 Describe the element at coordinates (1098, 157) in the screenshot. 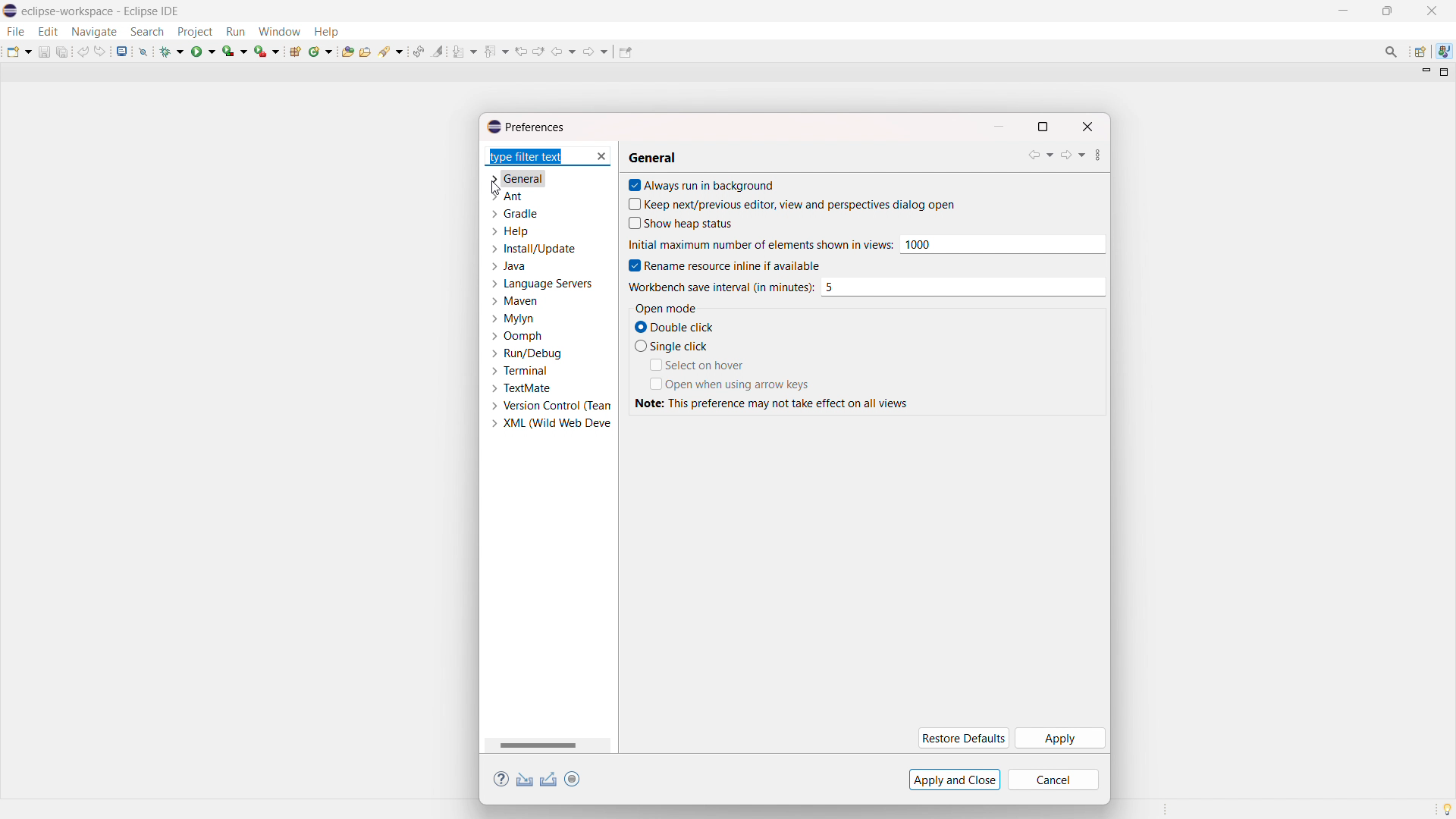

I see `view menu` at that location.